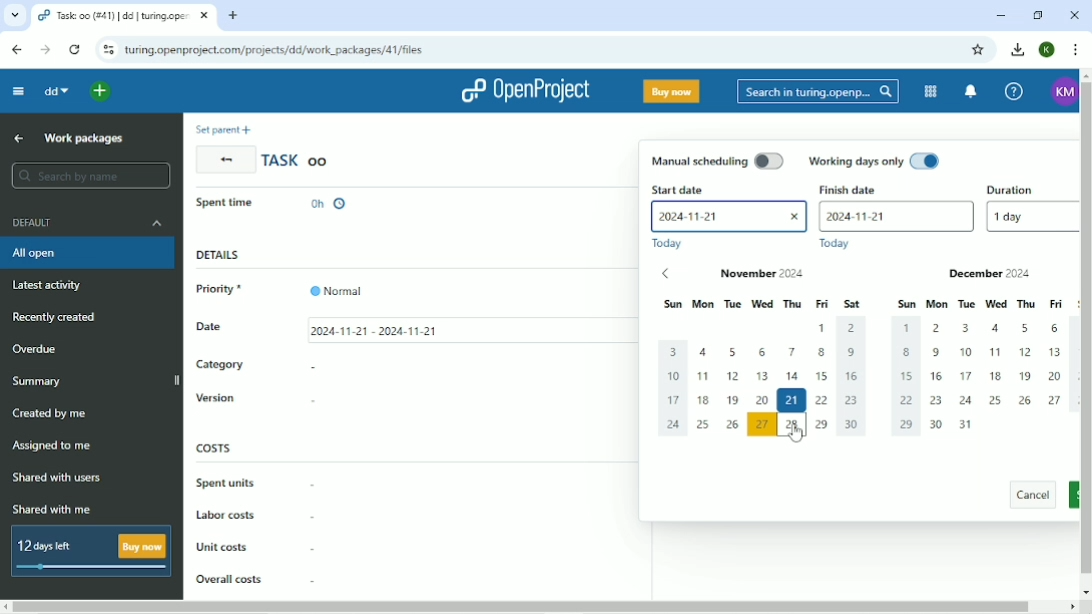 The image size is (1092, 614). I want to click on Minimize, so click(1003, 15).